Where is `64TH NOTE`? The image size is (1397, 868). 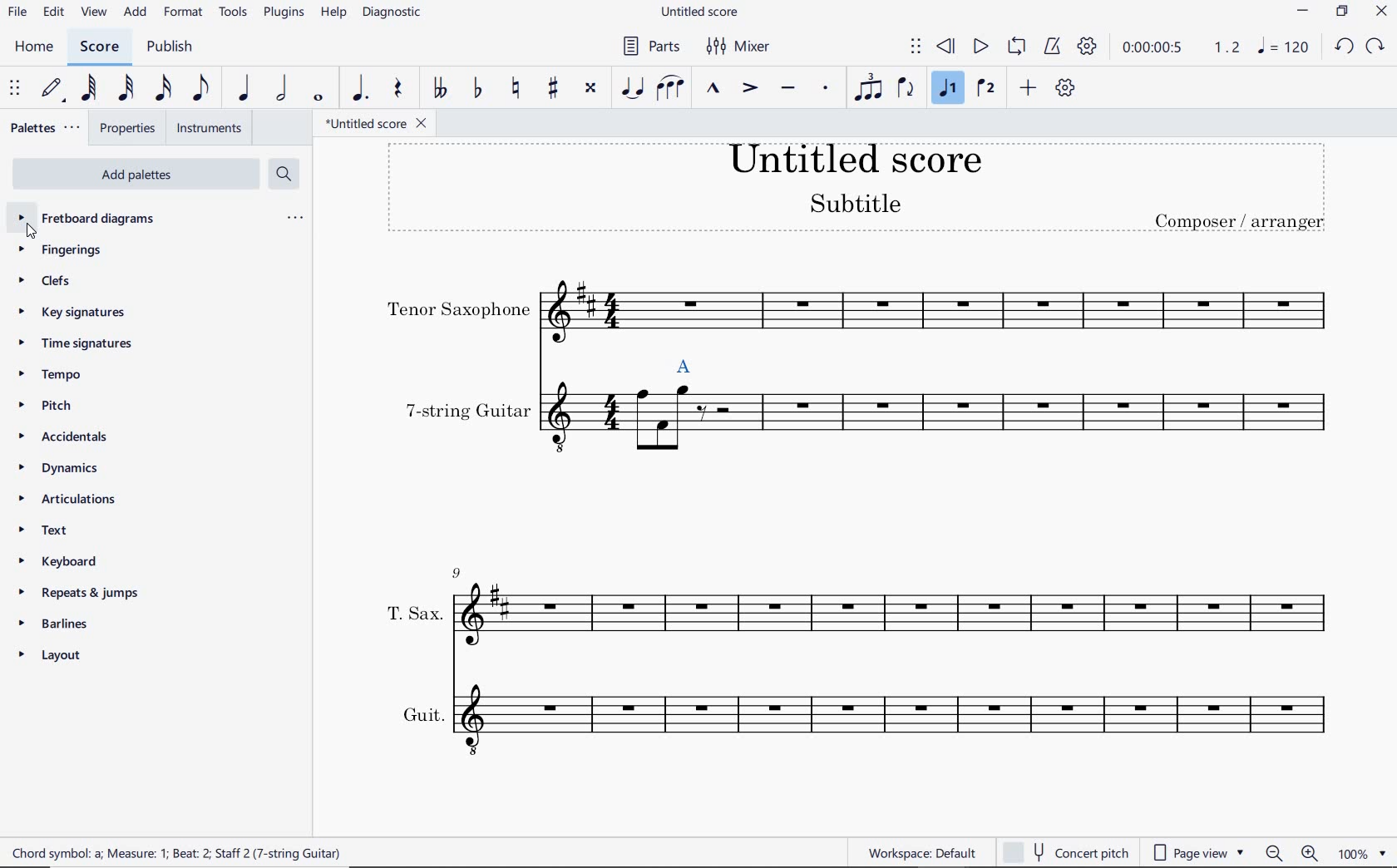 64TH NOTE is located at coordinates (90, 90).